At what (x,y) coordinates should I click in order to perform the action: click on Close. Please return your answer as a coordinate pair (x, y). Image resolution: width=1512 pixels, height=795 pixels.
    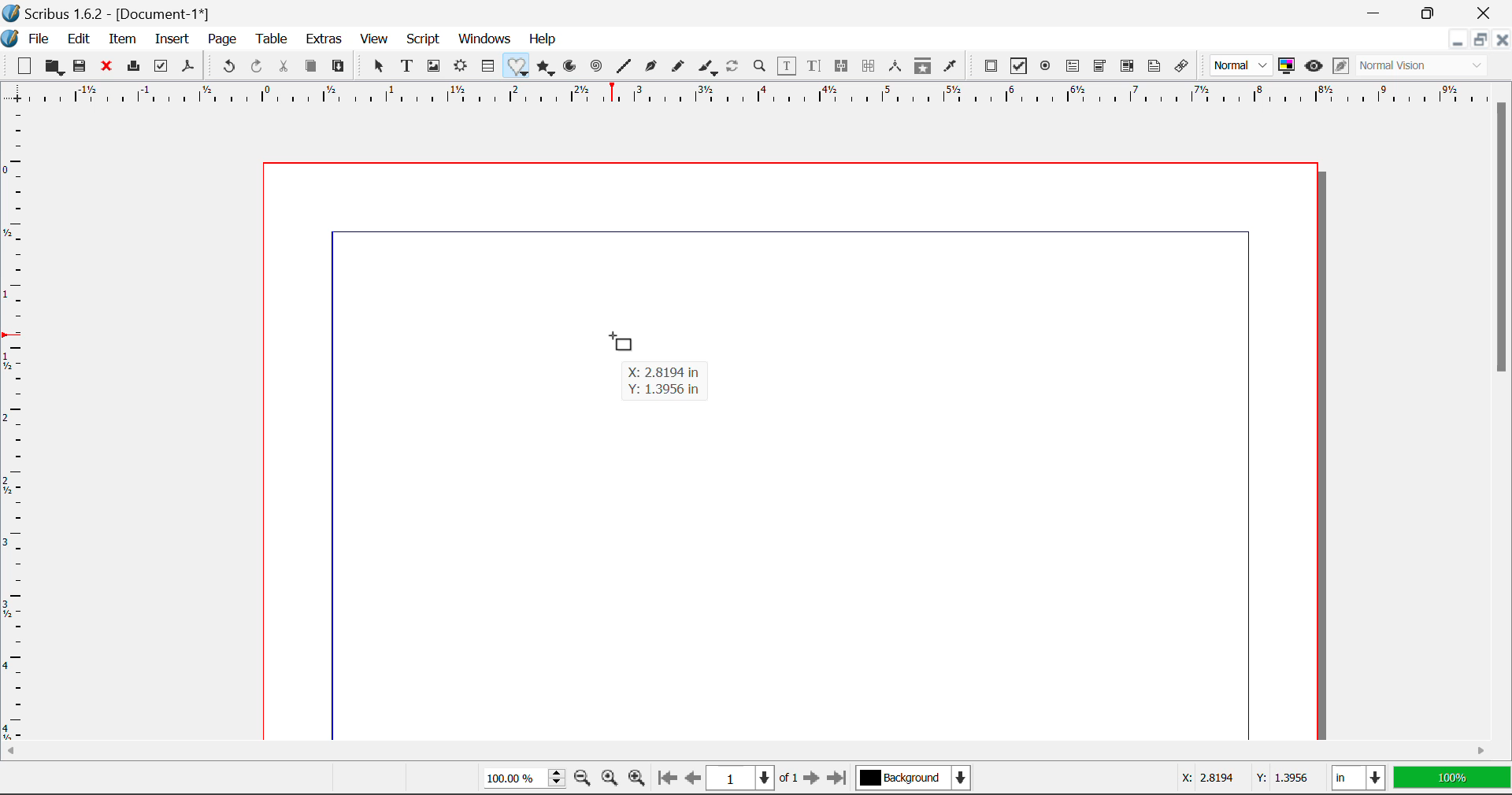
    Looking at the image, I should click on (1488, 13).